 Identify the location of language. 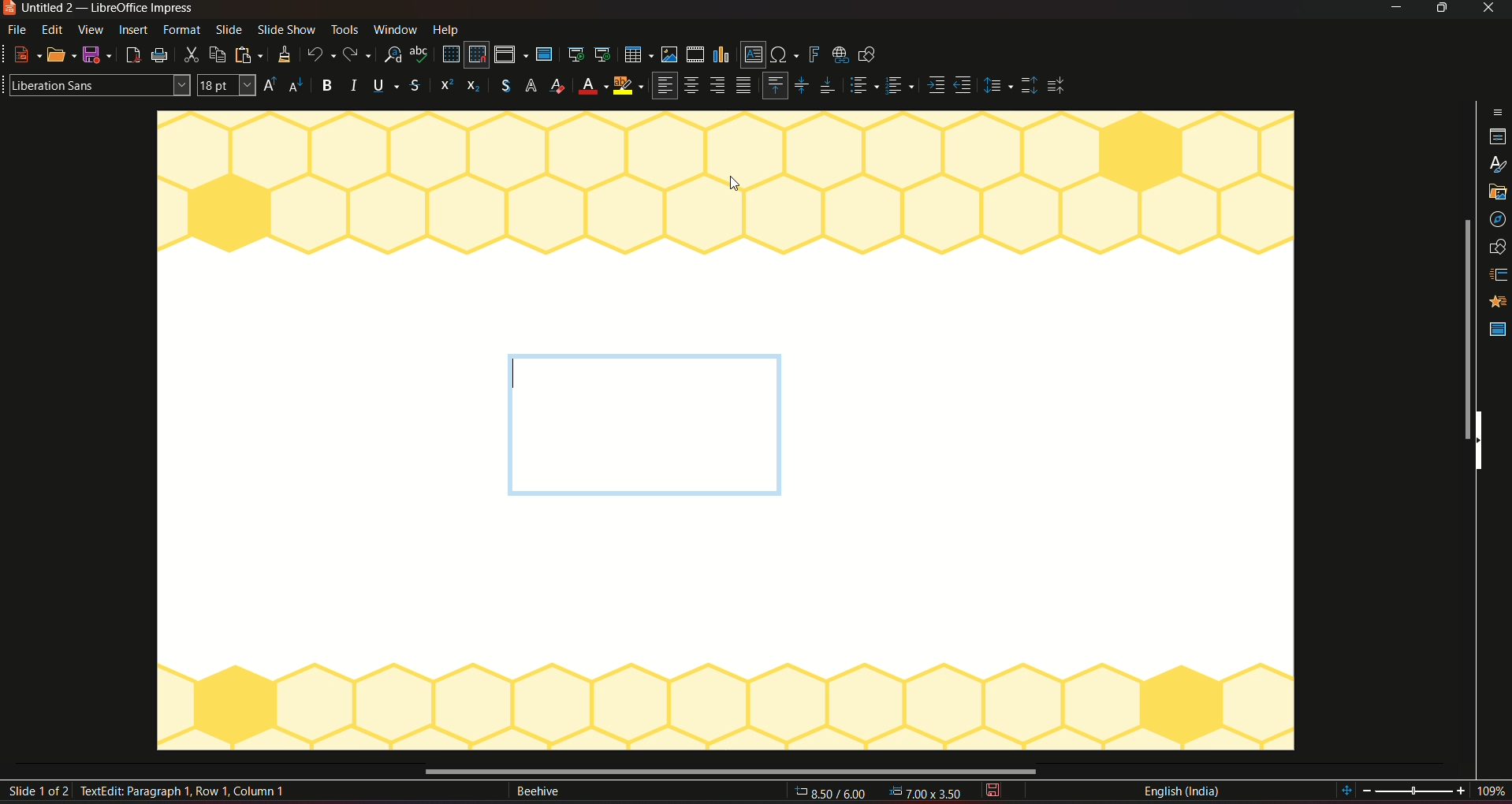
(1181, 791).